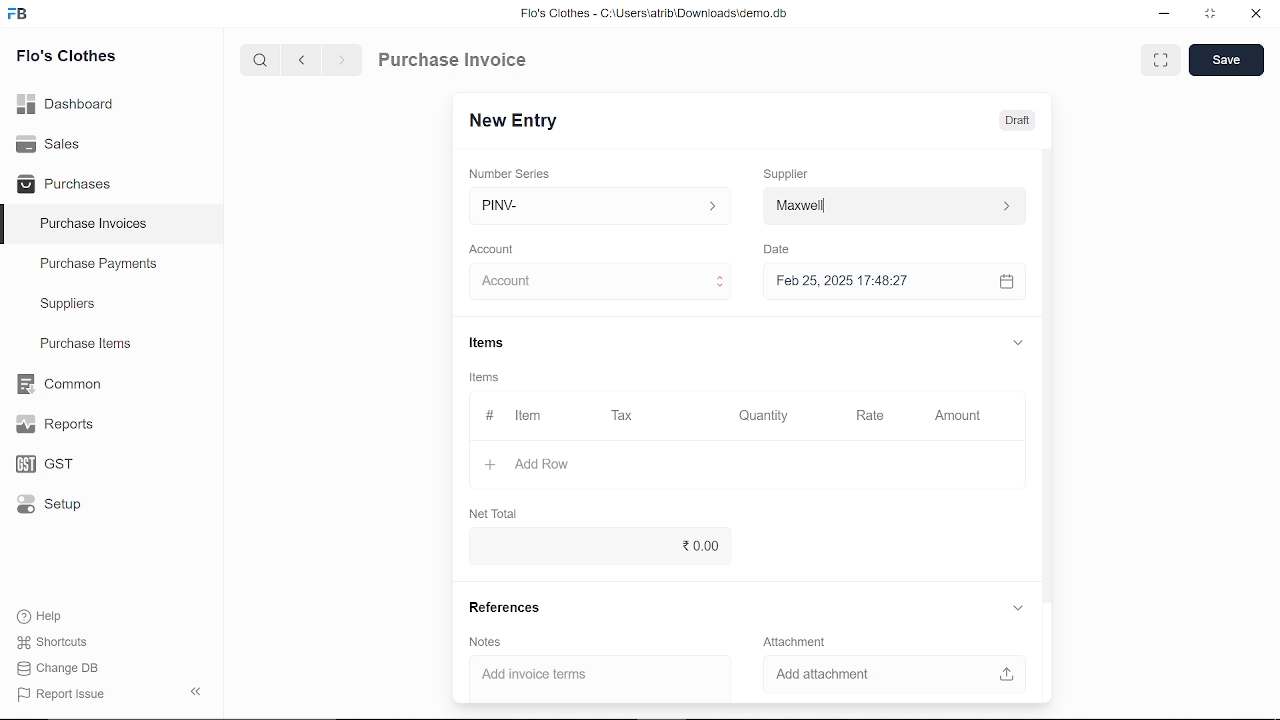  I want to click on Reports, so click(54, 425).